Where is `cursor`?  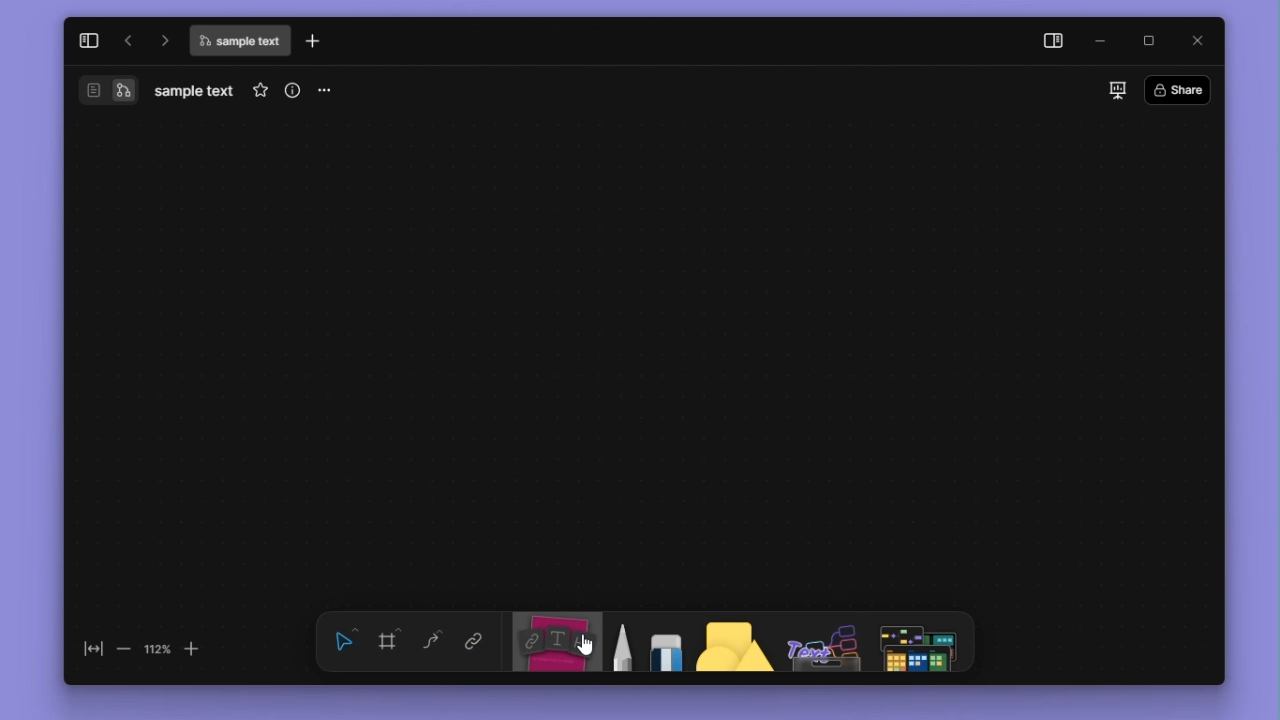 cursor is located at coordinates (587, 645).